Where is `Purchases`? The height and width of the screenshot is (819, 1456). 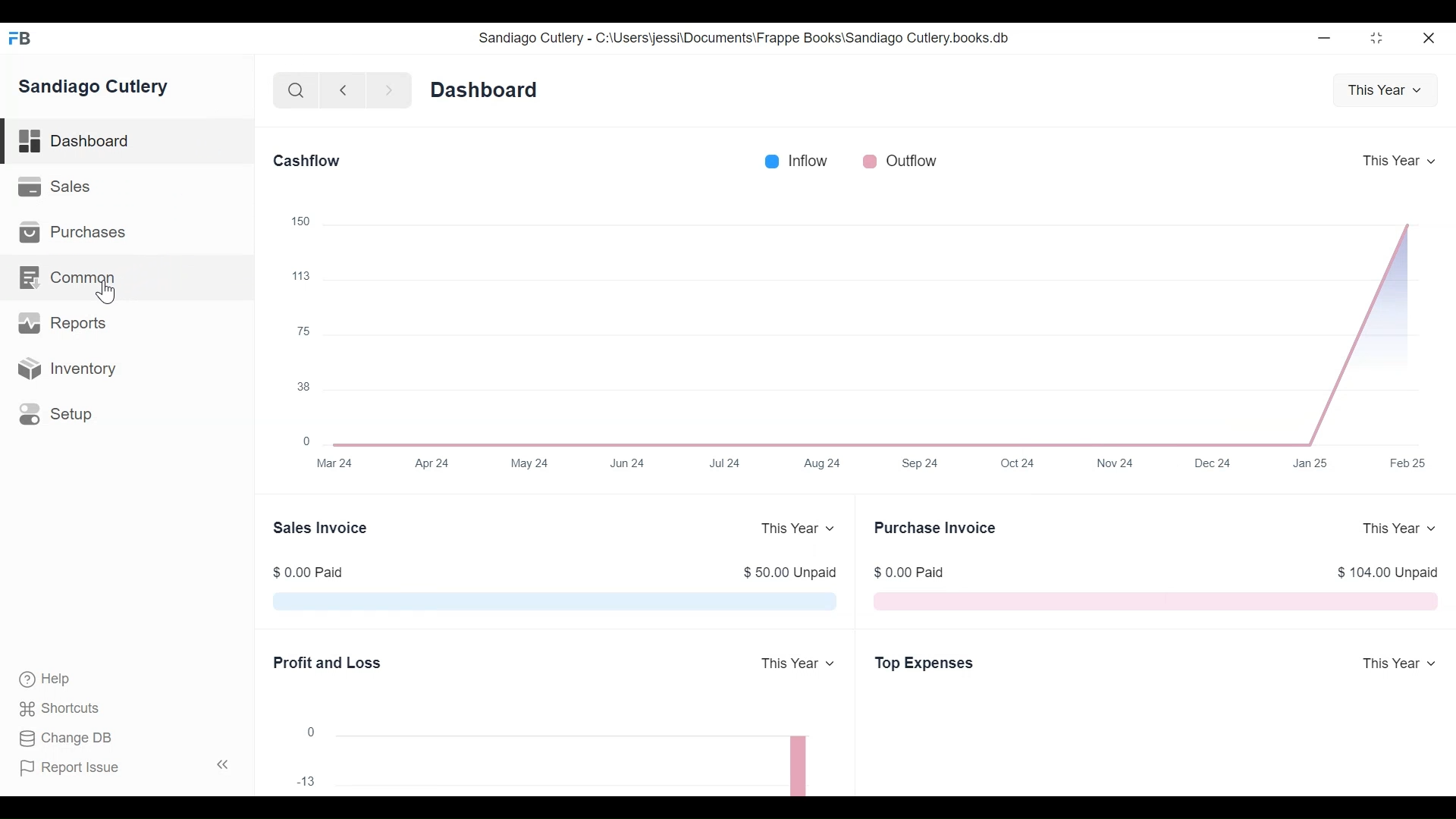
Purchases is located at coordinates (73, 233).